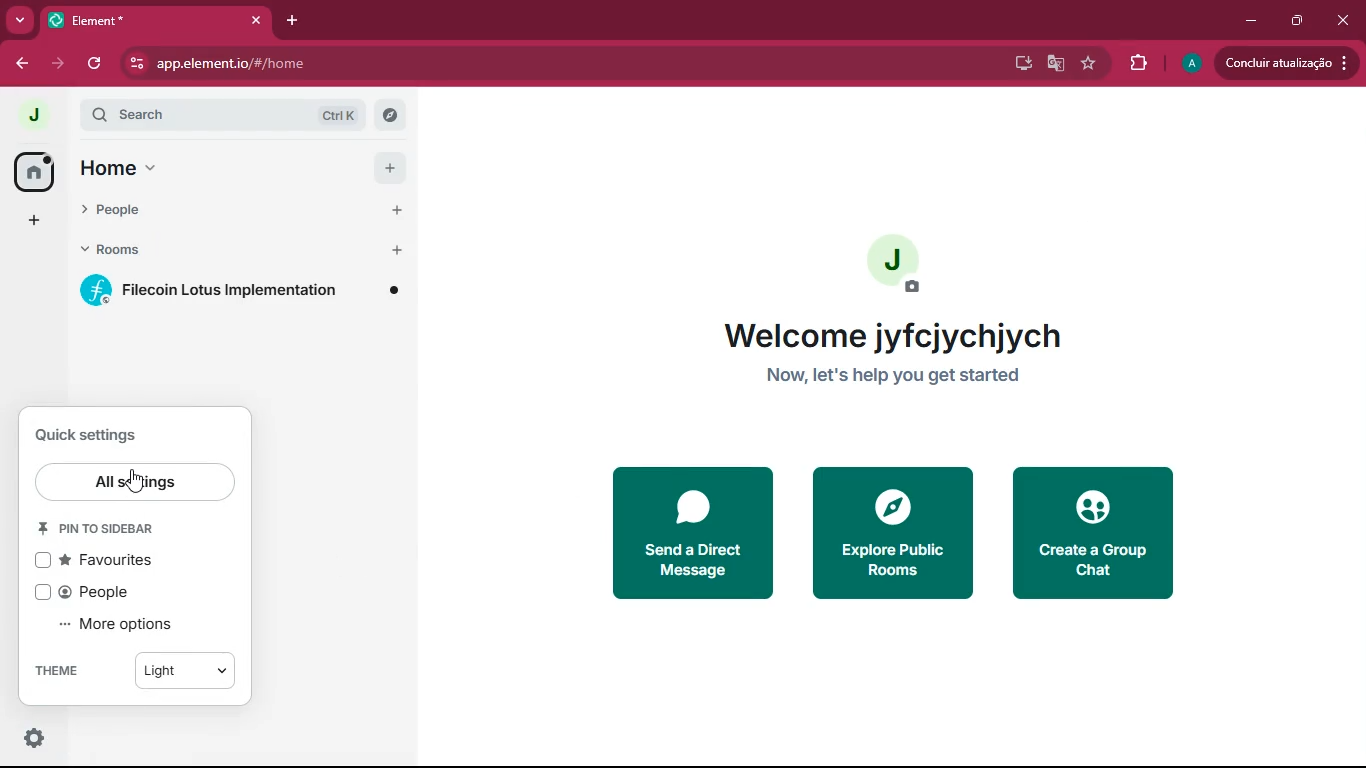 This screenshot has height=768, width=1366. I want to click on google translate, so click(1054, 63).